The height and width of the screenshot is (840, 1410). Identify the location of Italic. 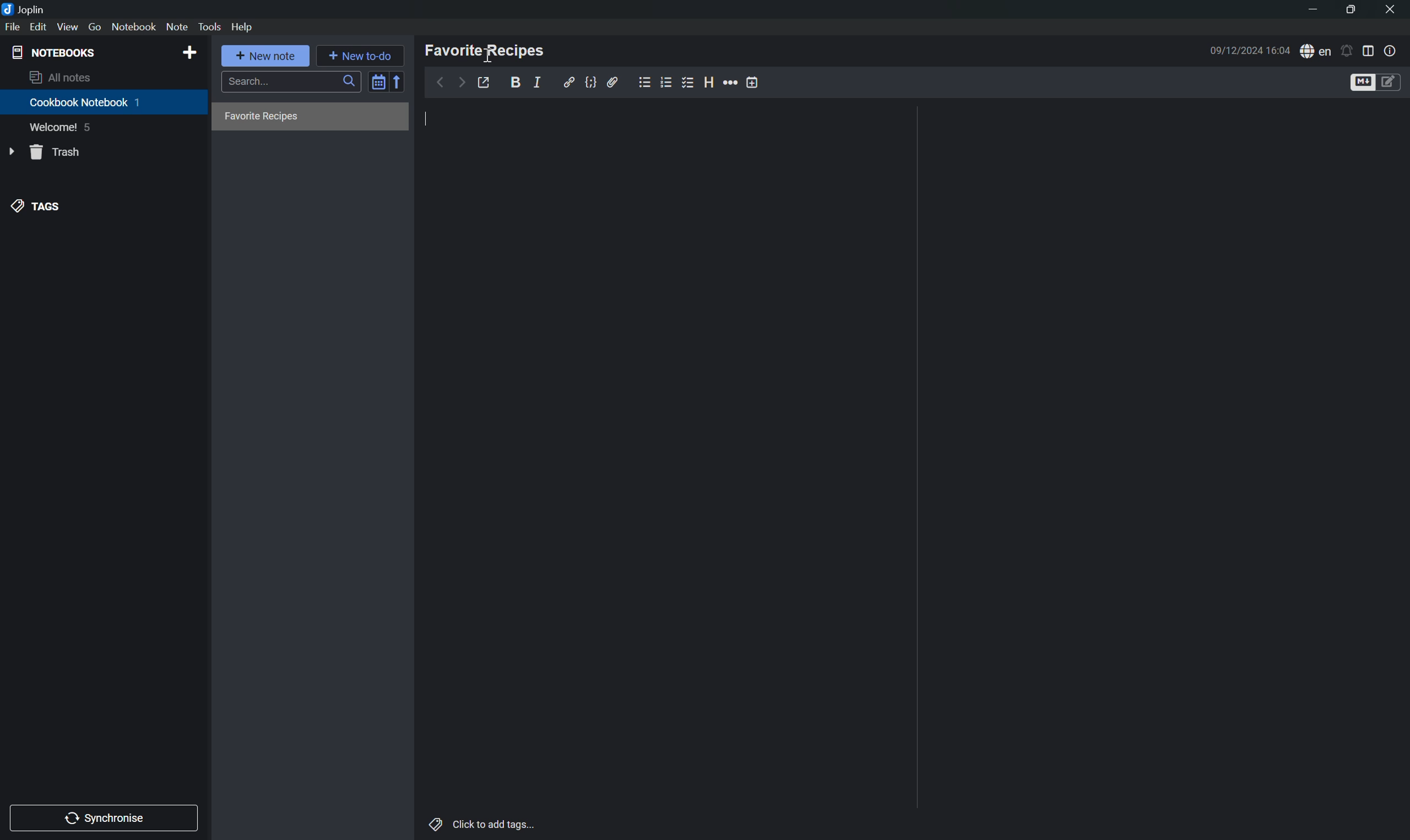
(540, 82).